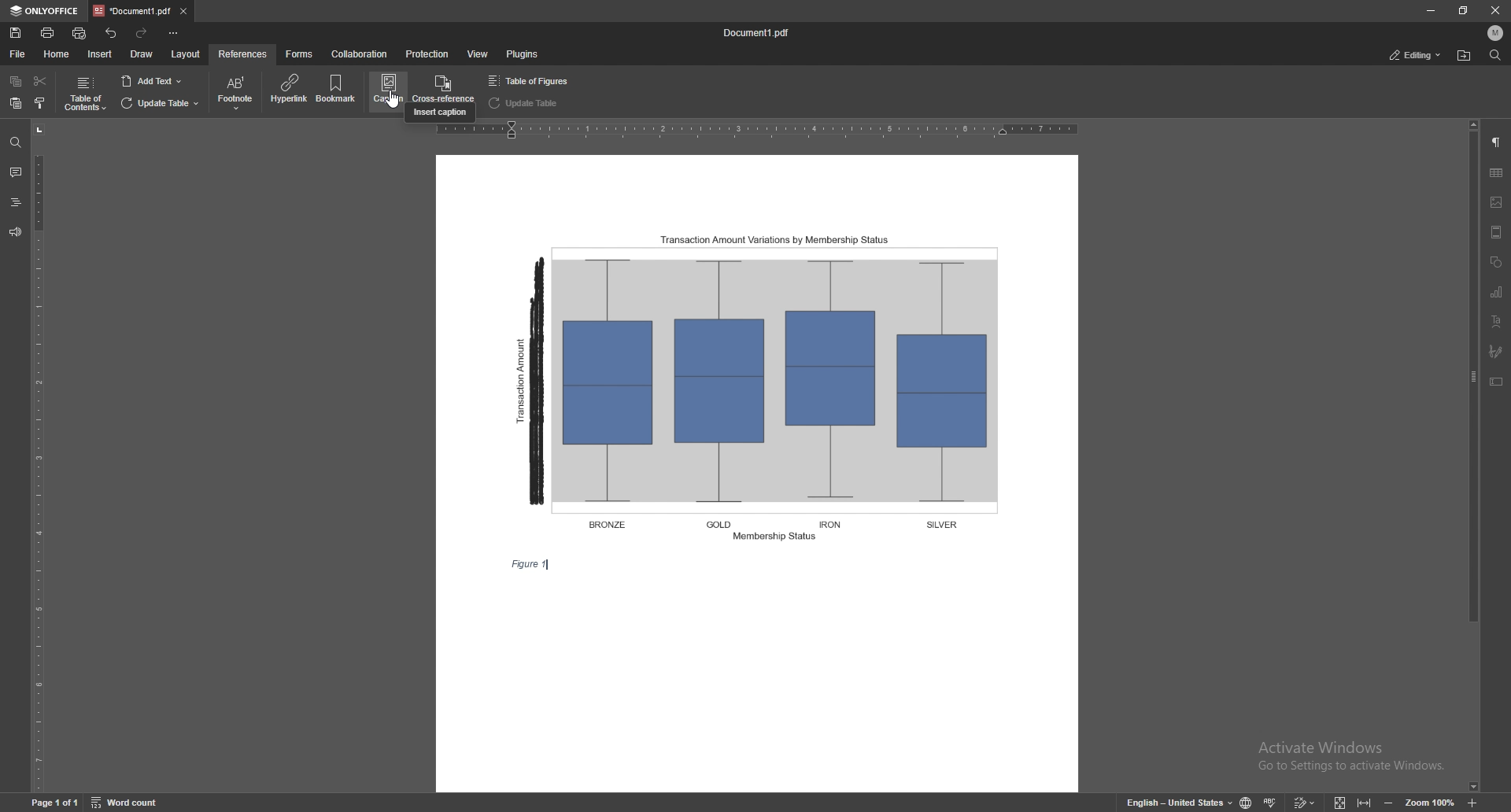 The width and height of the screenshot is (1511, 812). I want to click on text cursor, so click(562, 569).